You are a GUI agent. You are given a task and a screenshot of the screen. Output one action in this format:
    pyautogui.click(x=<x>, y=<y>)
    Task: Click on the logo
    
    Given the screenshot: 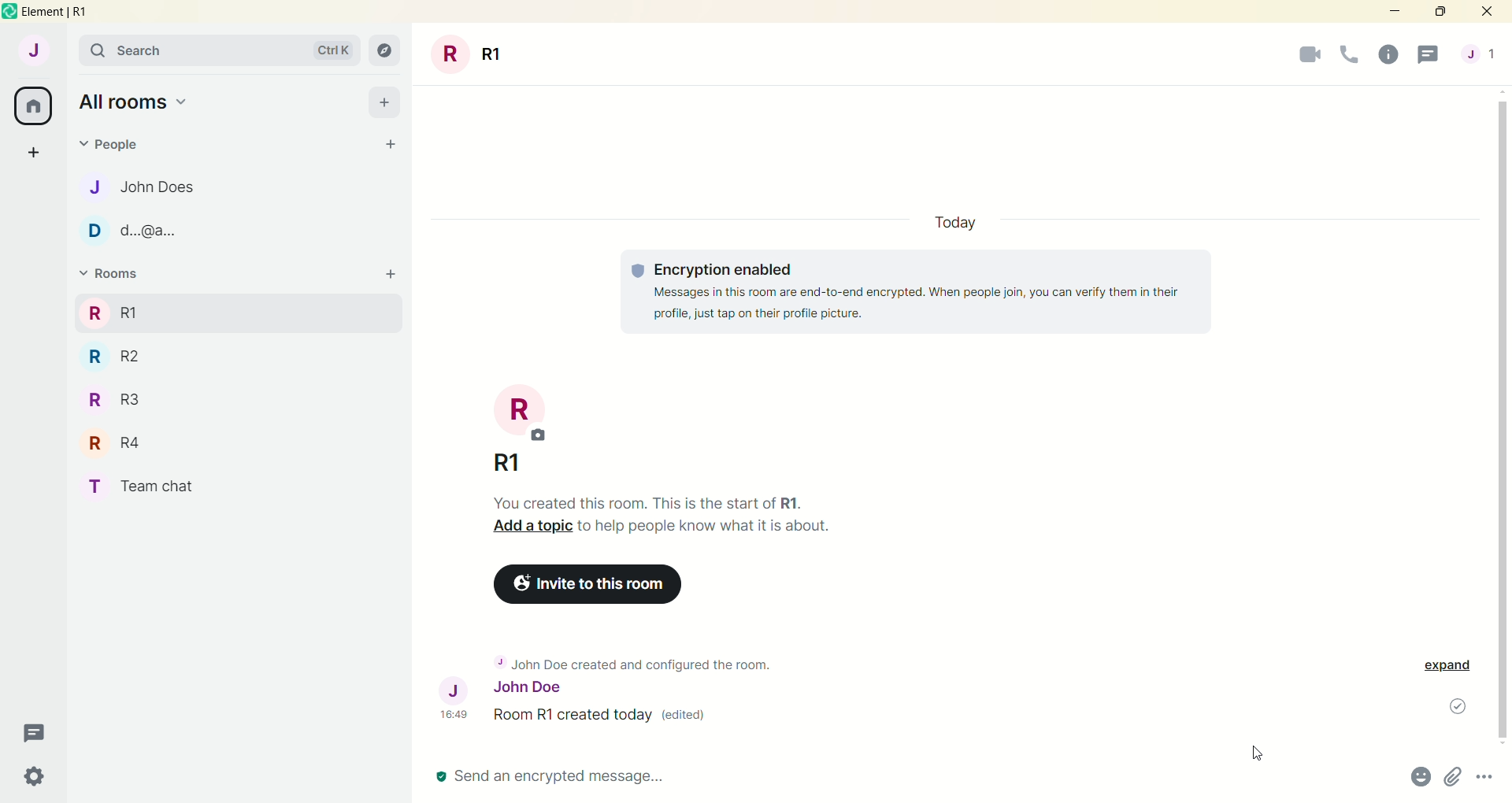 What is the action you would take?
    pyautogui.click(x=9, y=13)
    